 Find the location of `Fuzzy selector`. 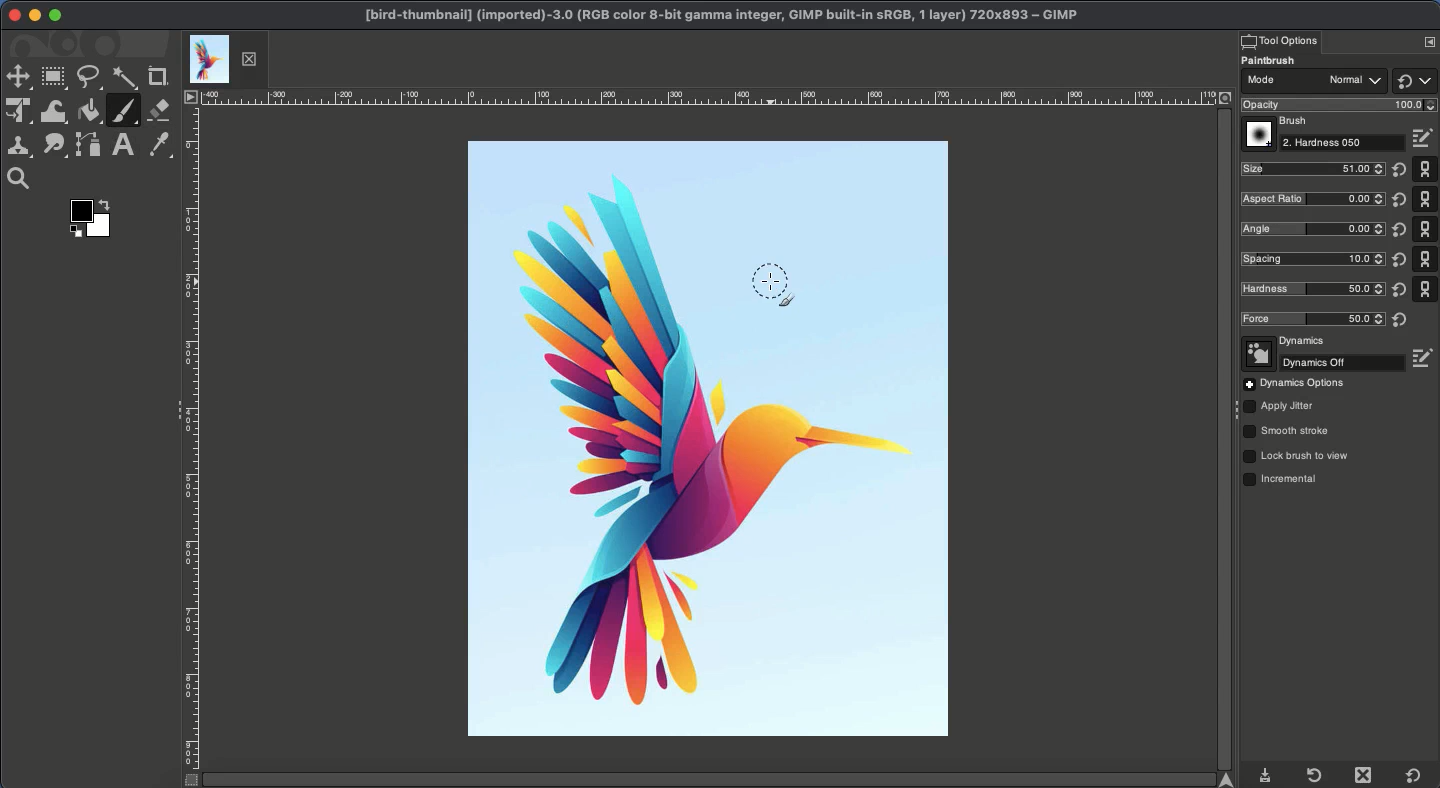

Fuzzy selector is located at coordinates (125, 79).